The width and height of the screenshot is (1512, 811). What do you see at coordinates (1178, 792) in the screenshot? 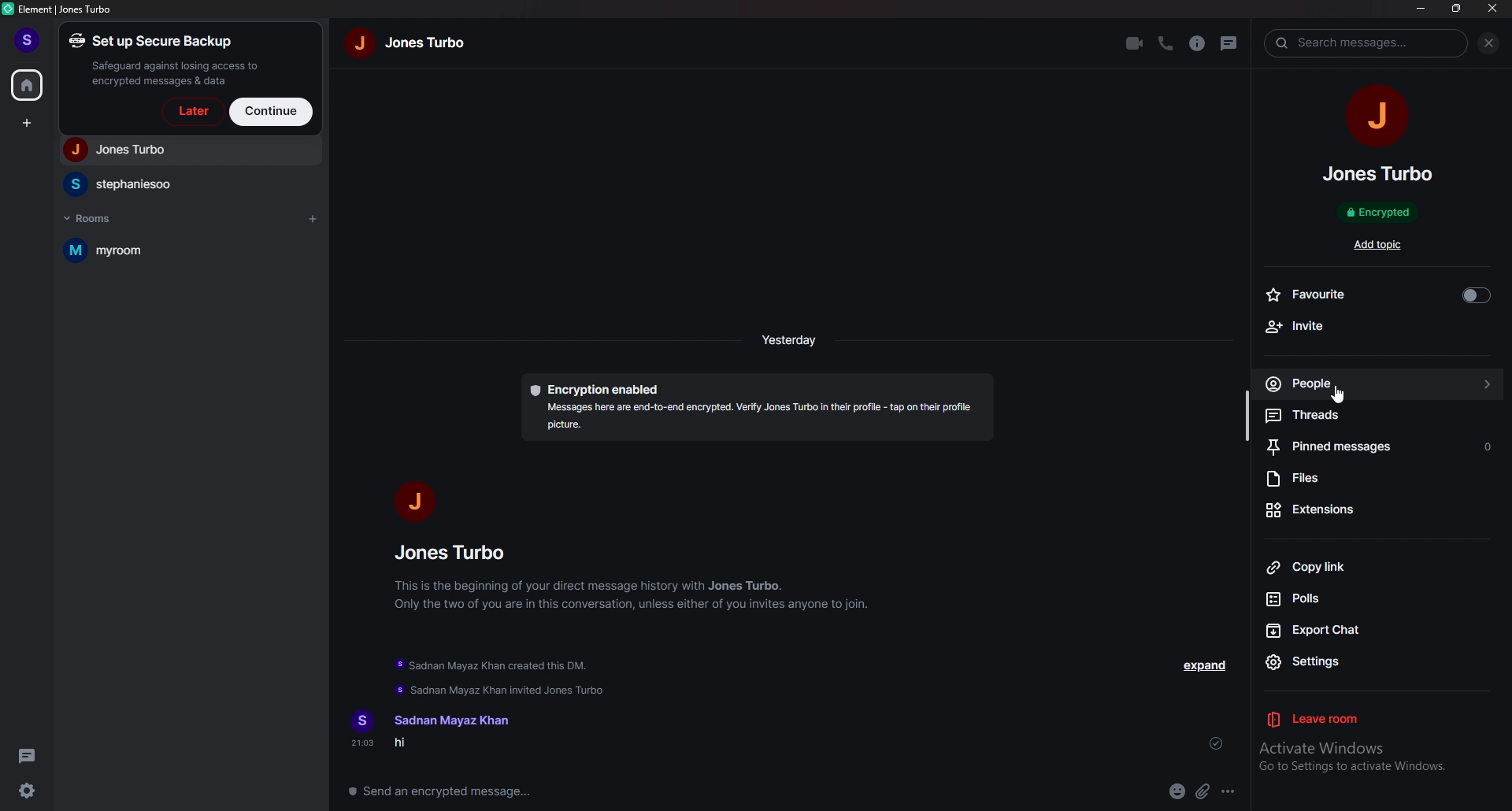
I see `emoji` at bounding box center [1178, 792].